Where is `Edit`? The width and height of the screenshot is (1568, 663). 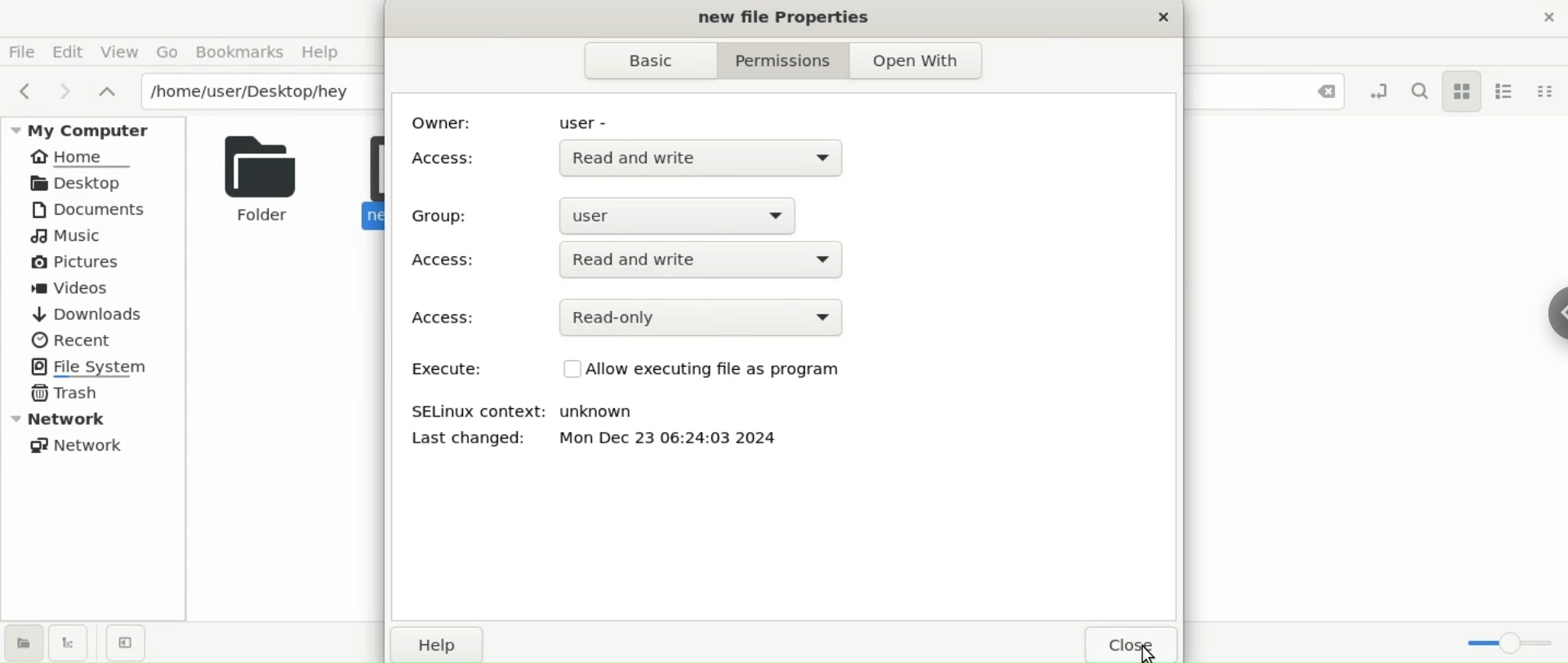 Edit is located at coordinates (69, 51).